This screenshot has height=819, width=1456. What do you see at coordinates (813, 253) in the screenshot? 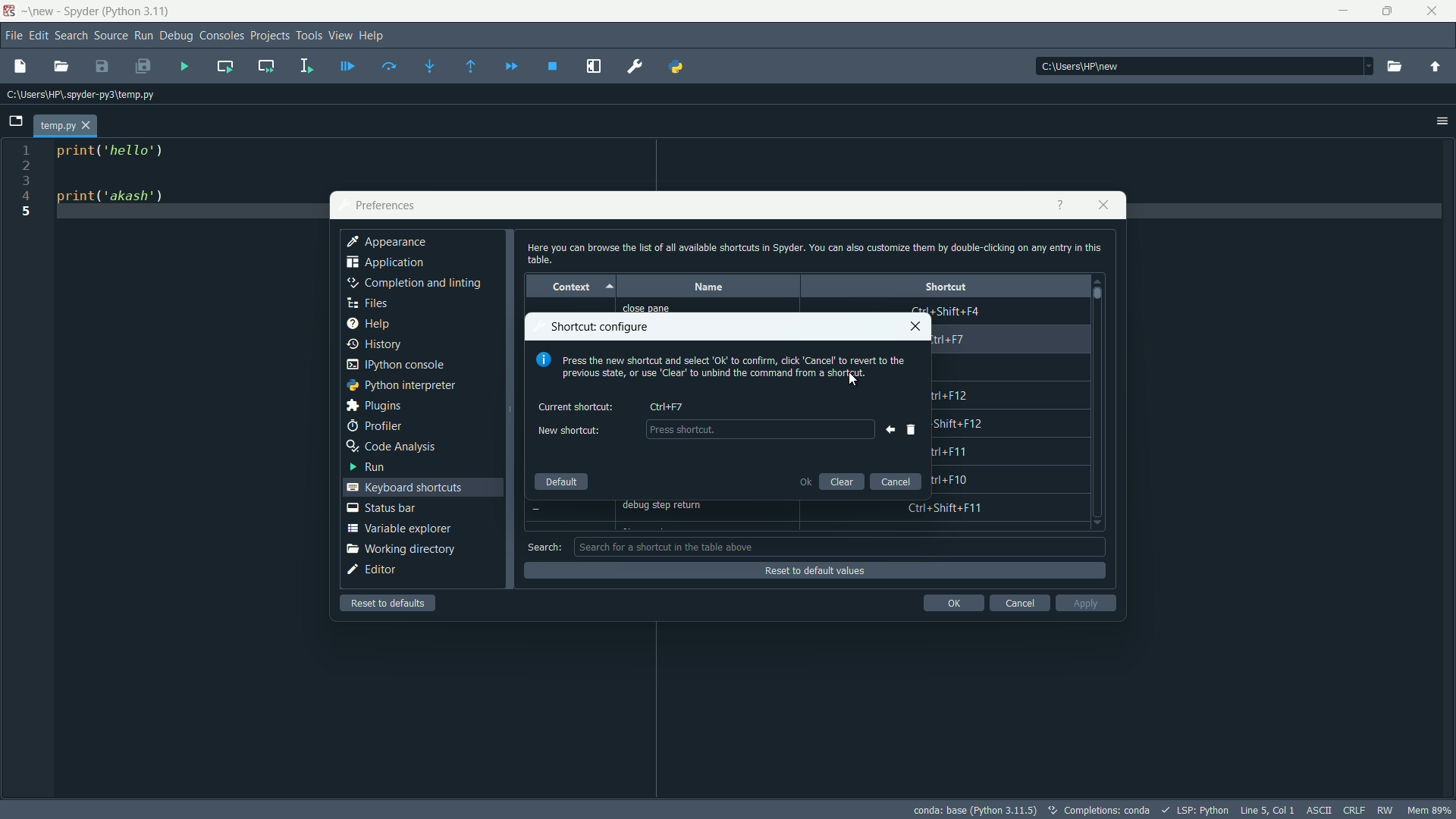
I see `text - Here you can browse the list of all available shortcuts in Spyder. You can also customize them by double-clicking on any entry in this table.` at bounding box center [813, 253].